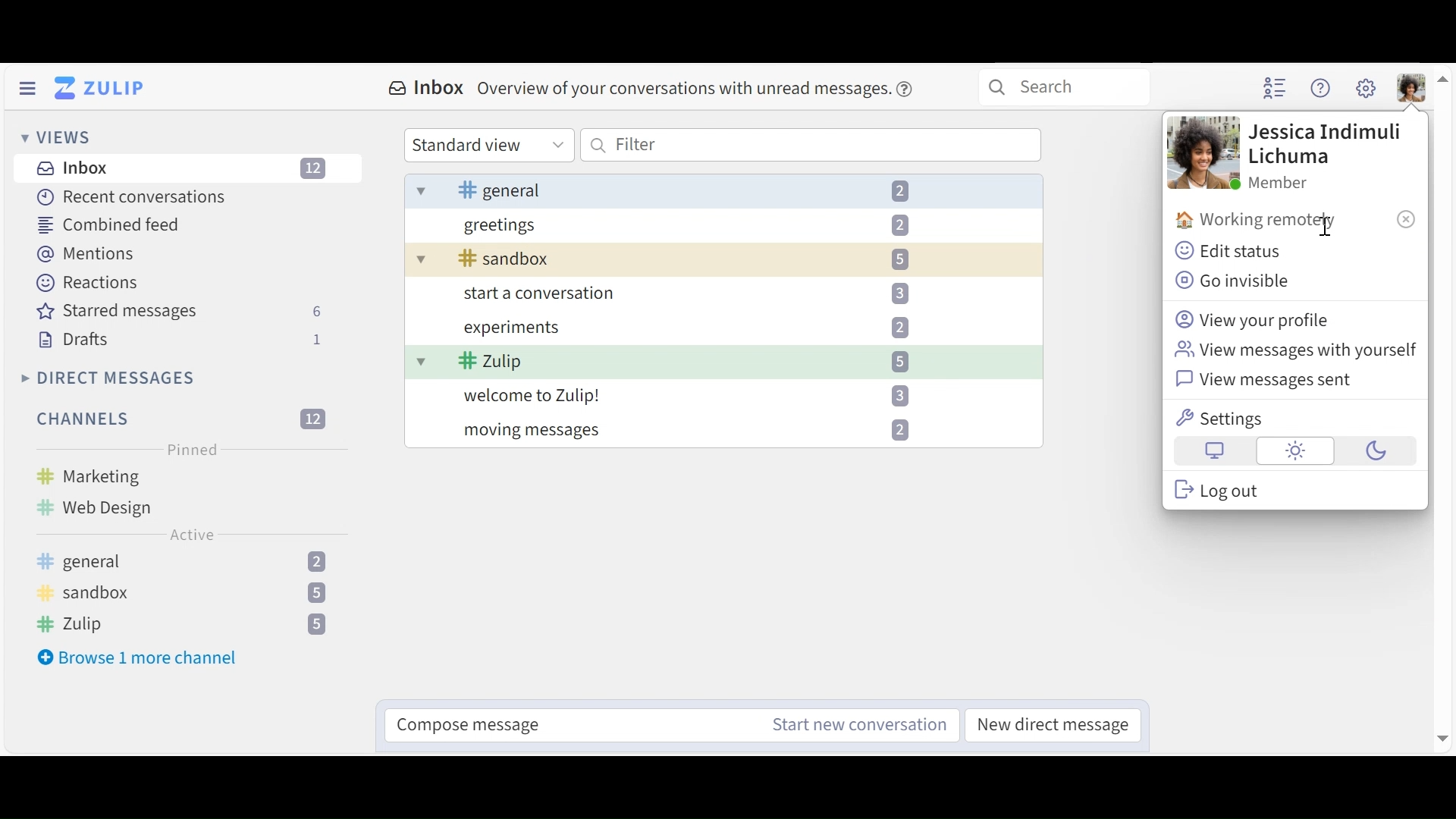 This screenshot has width=1456, height=819. I want to click on scroll up, so click(1447, 80).